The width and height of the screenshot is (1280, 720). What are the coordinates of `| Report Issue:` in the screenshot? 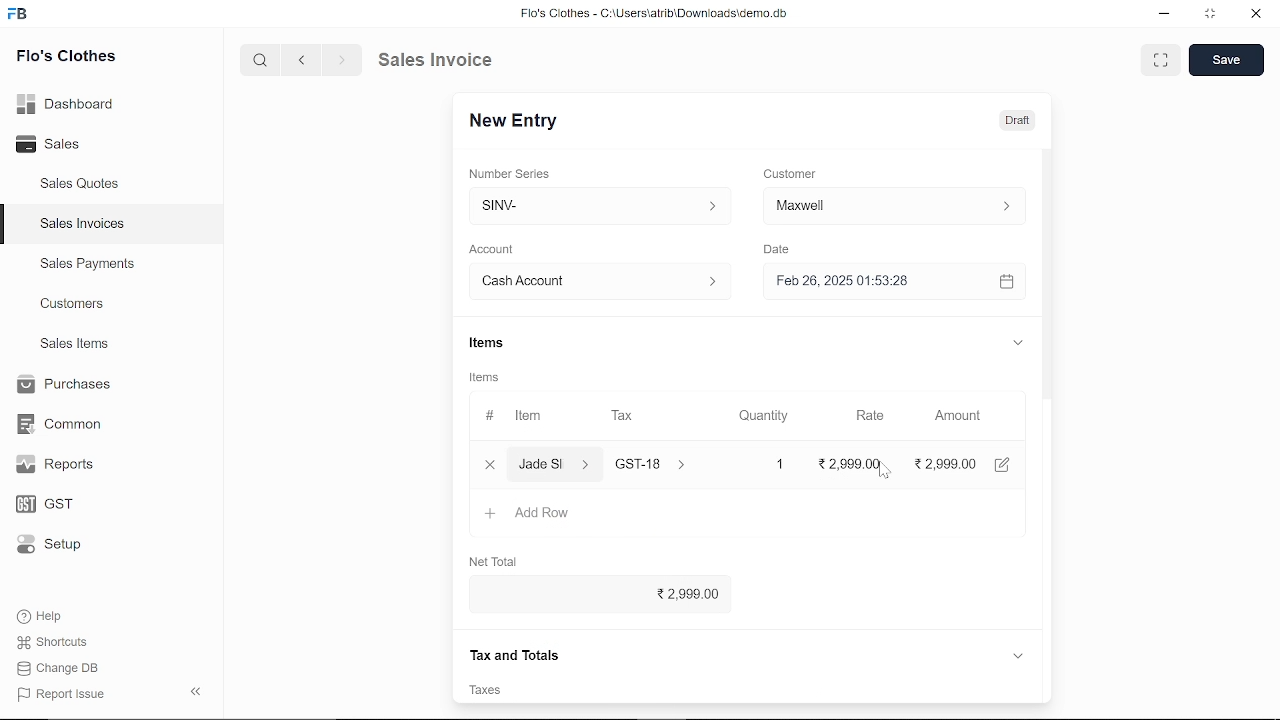 It's located at (64, 694).